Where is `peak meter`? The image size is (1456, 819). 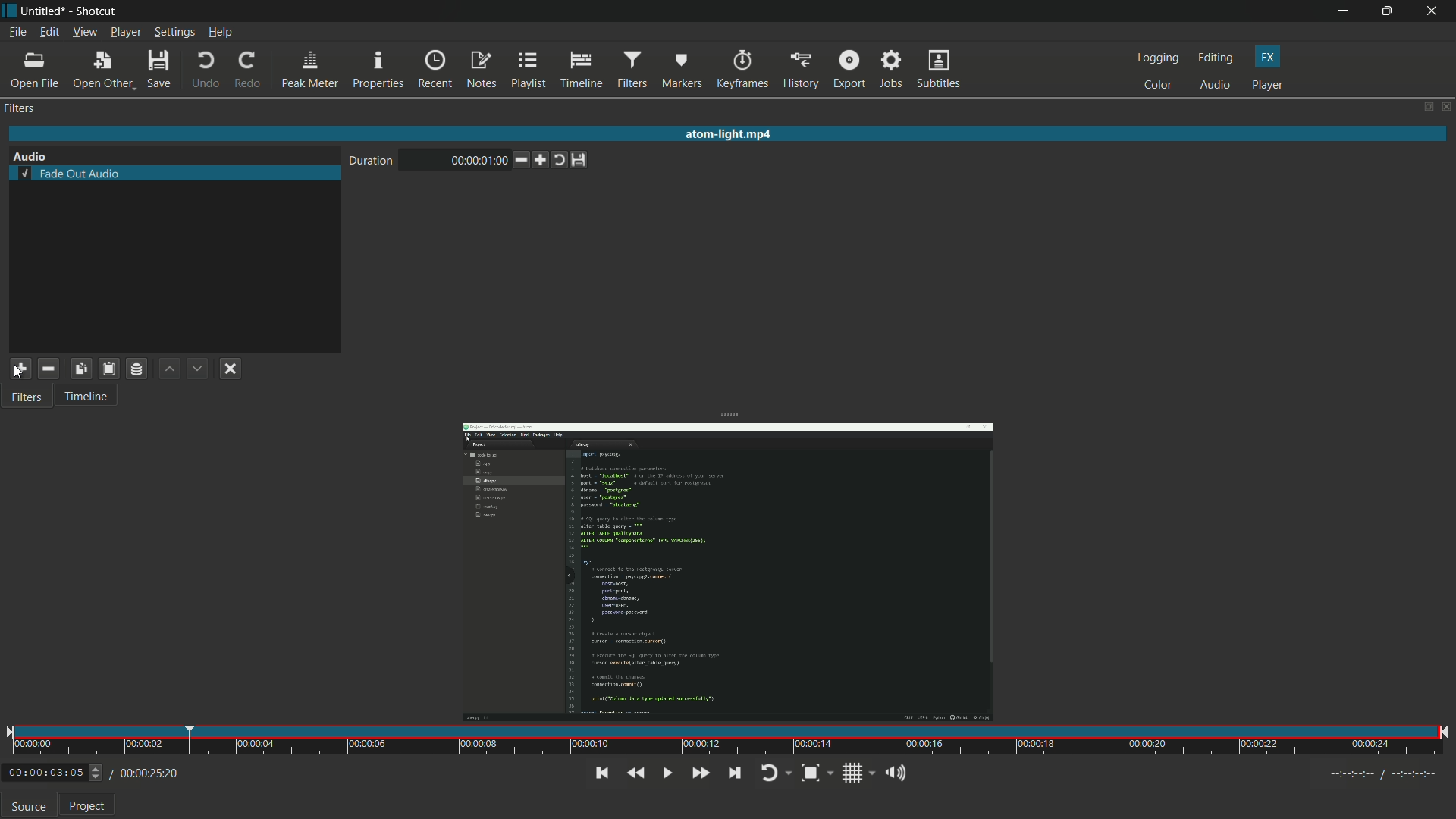 peak meter is located at coordinates (310, 70).